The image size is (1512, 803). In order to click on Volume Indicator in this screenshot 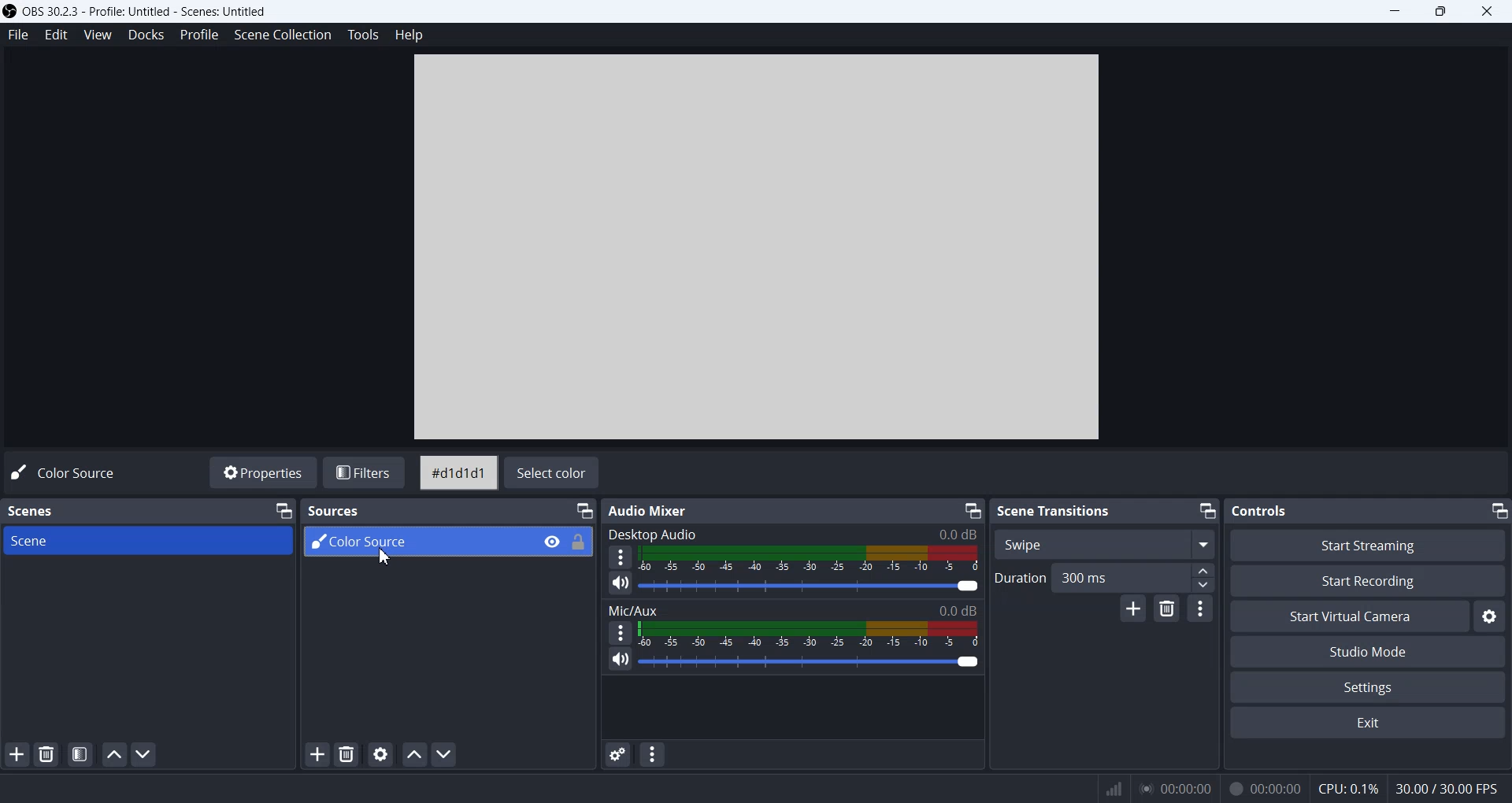, I will do `click(810, 634)`.